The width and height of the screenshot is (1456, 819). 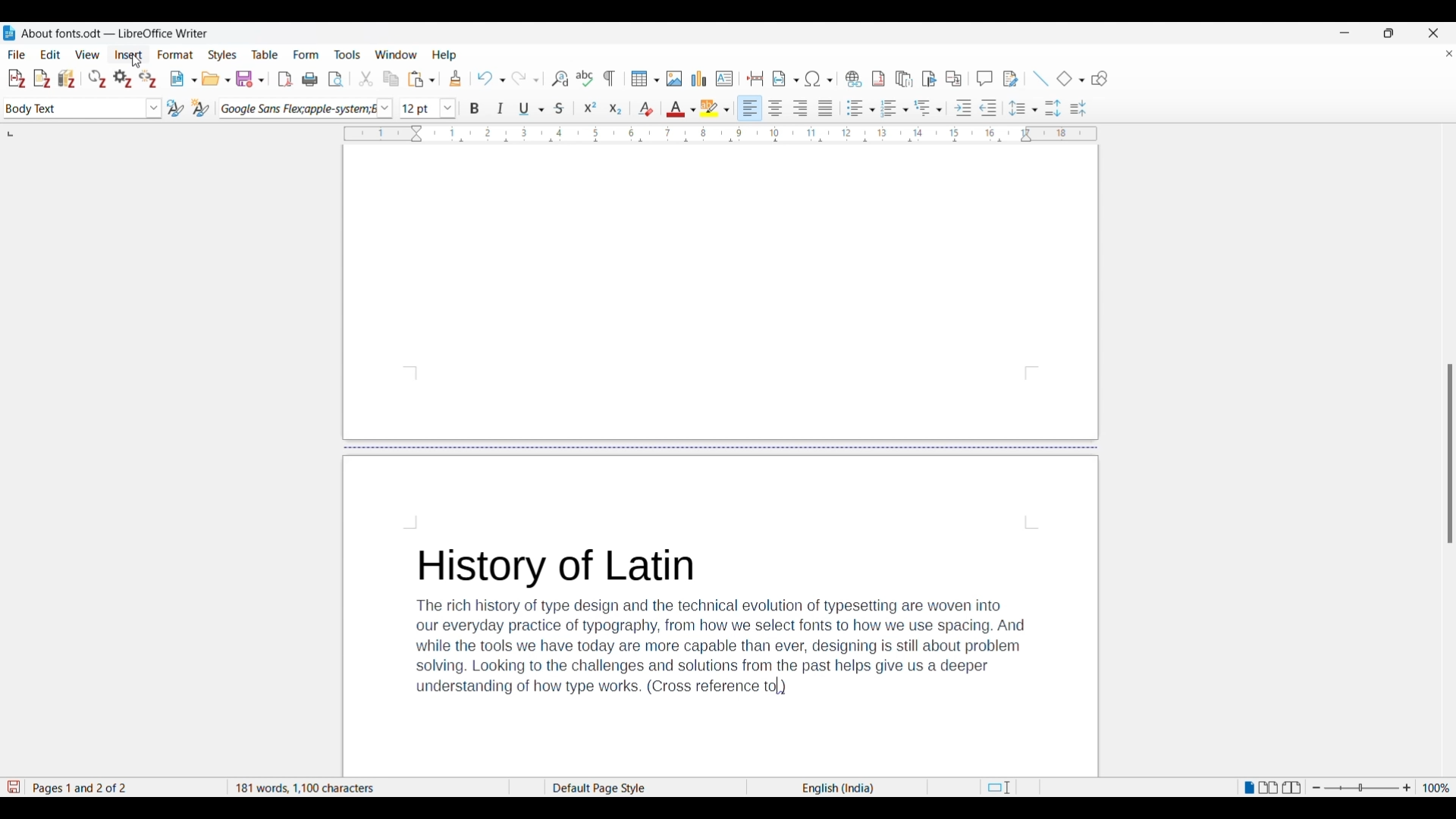 I want to click on Current zoom factor, so click(x=1436, y=788).